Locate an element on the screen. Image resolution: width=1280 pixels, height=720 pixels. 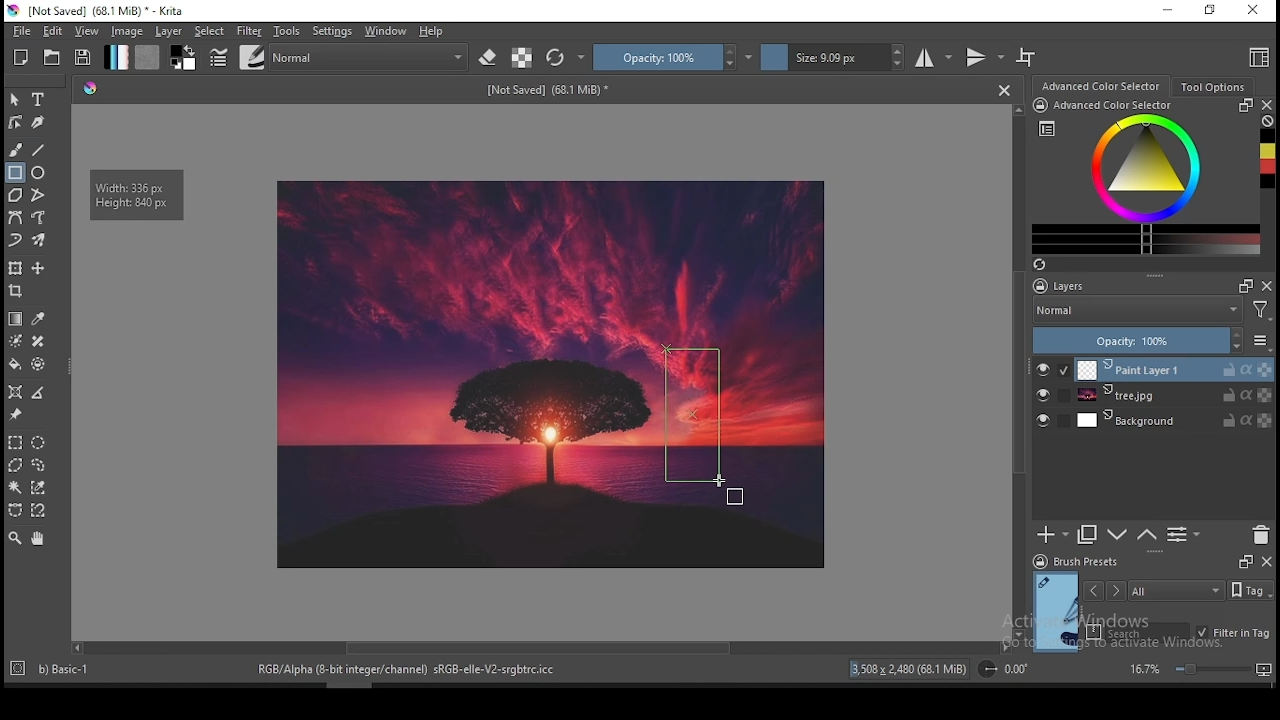
transform a layer or a selection is located at coordinates (16, 269).